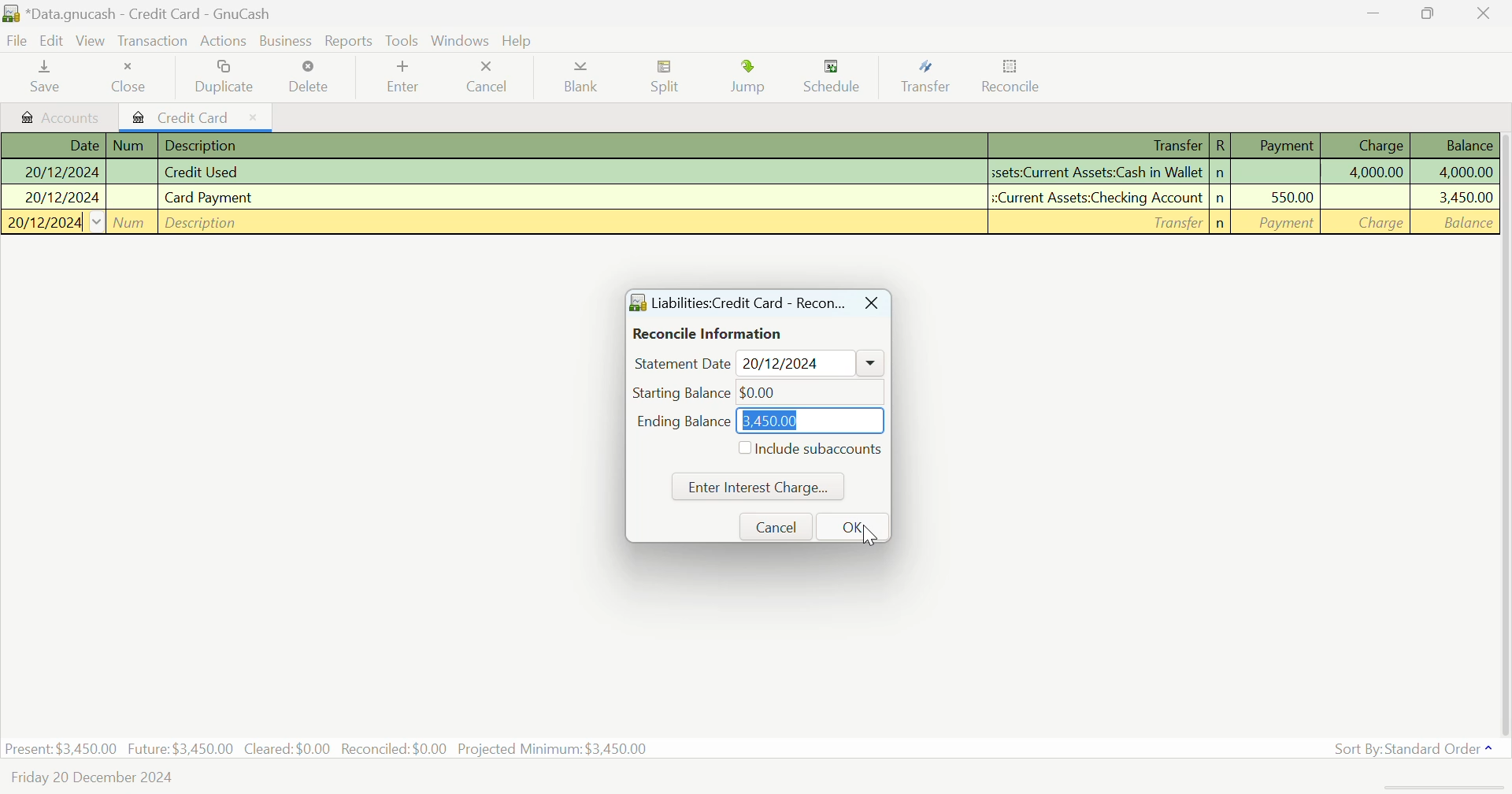 Image resolution: width=1512 pixels, height=794 pixels. What do you see at coordinates (876, 301) in the screenshot?
I see `Close Window` at bounding box center [876, 301].